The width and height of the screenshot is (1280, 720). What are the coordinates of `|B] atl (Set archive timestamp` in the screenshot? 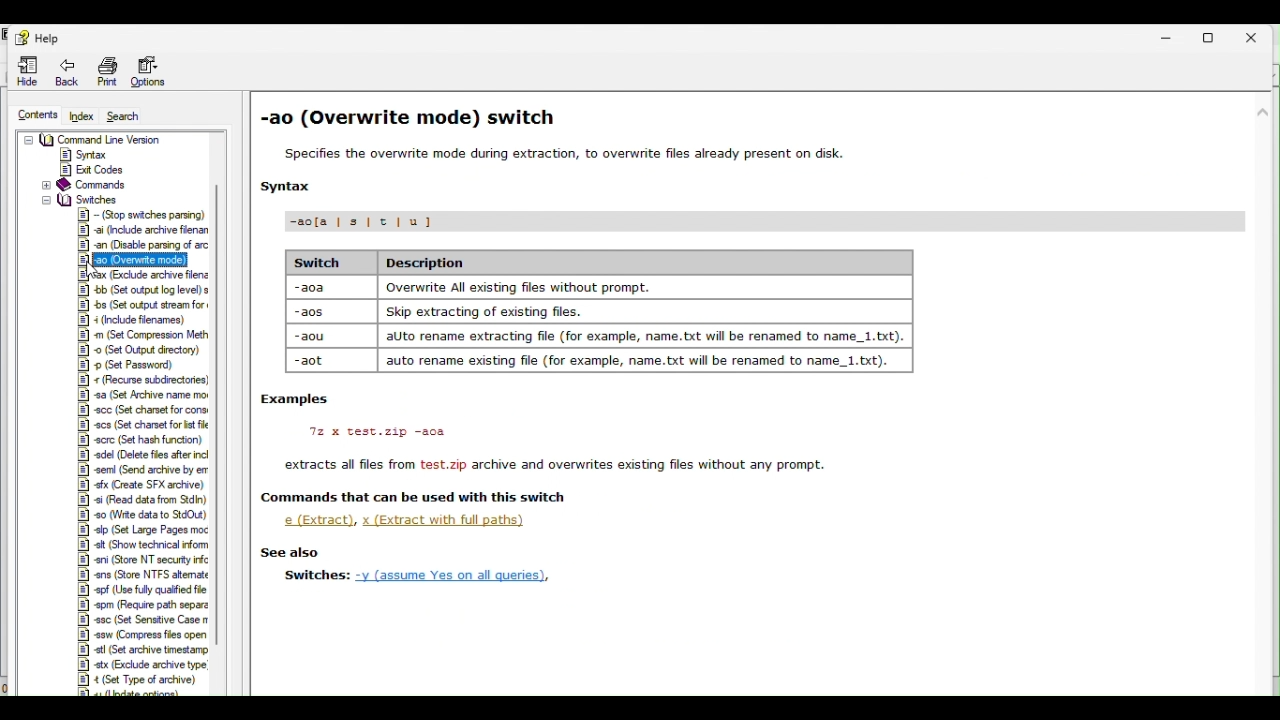 It's located at (141, 649).